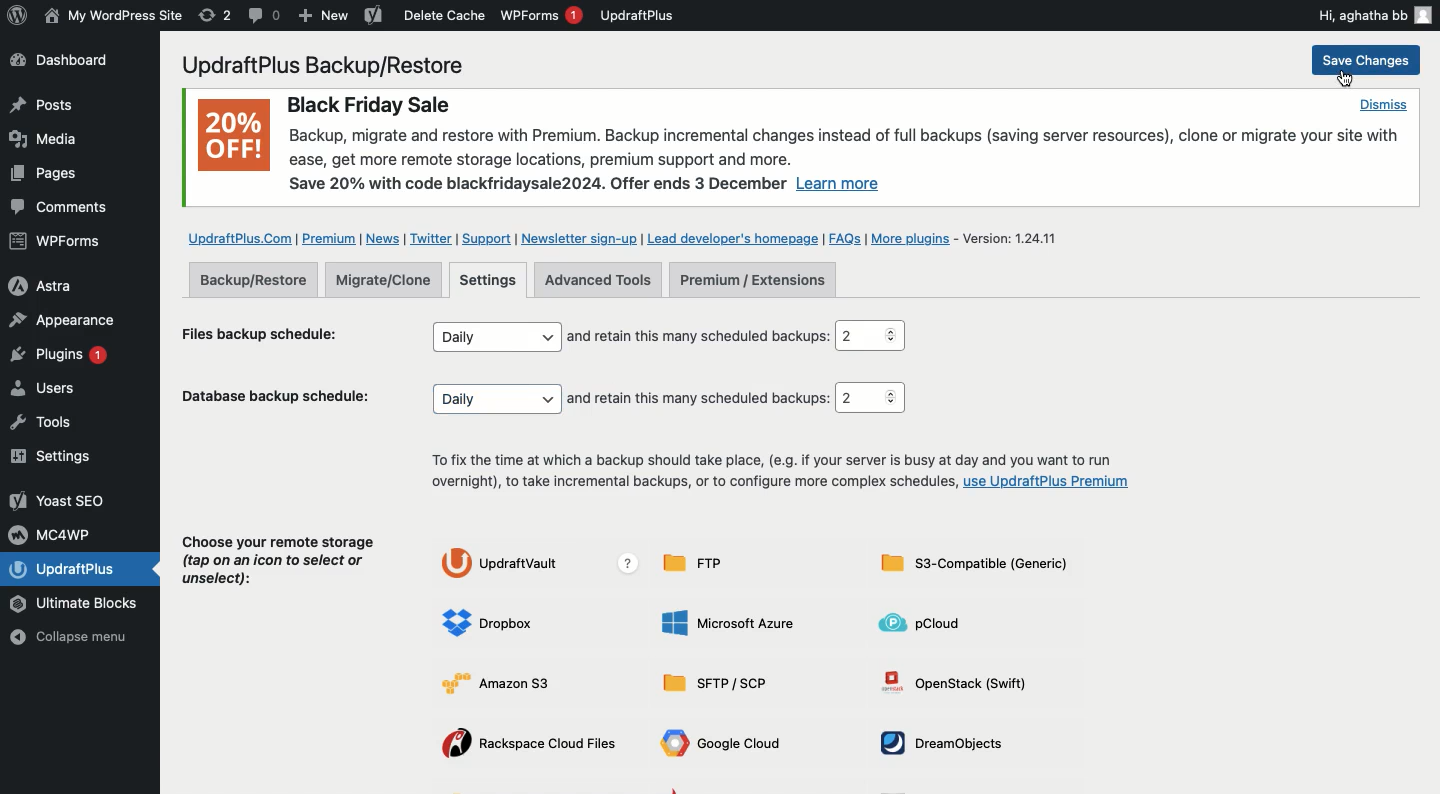 The image size is (1440, 794). I want to click on Settings, so click(490, 281).